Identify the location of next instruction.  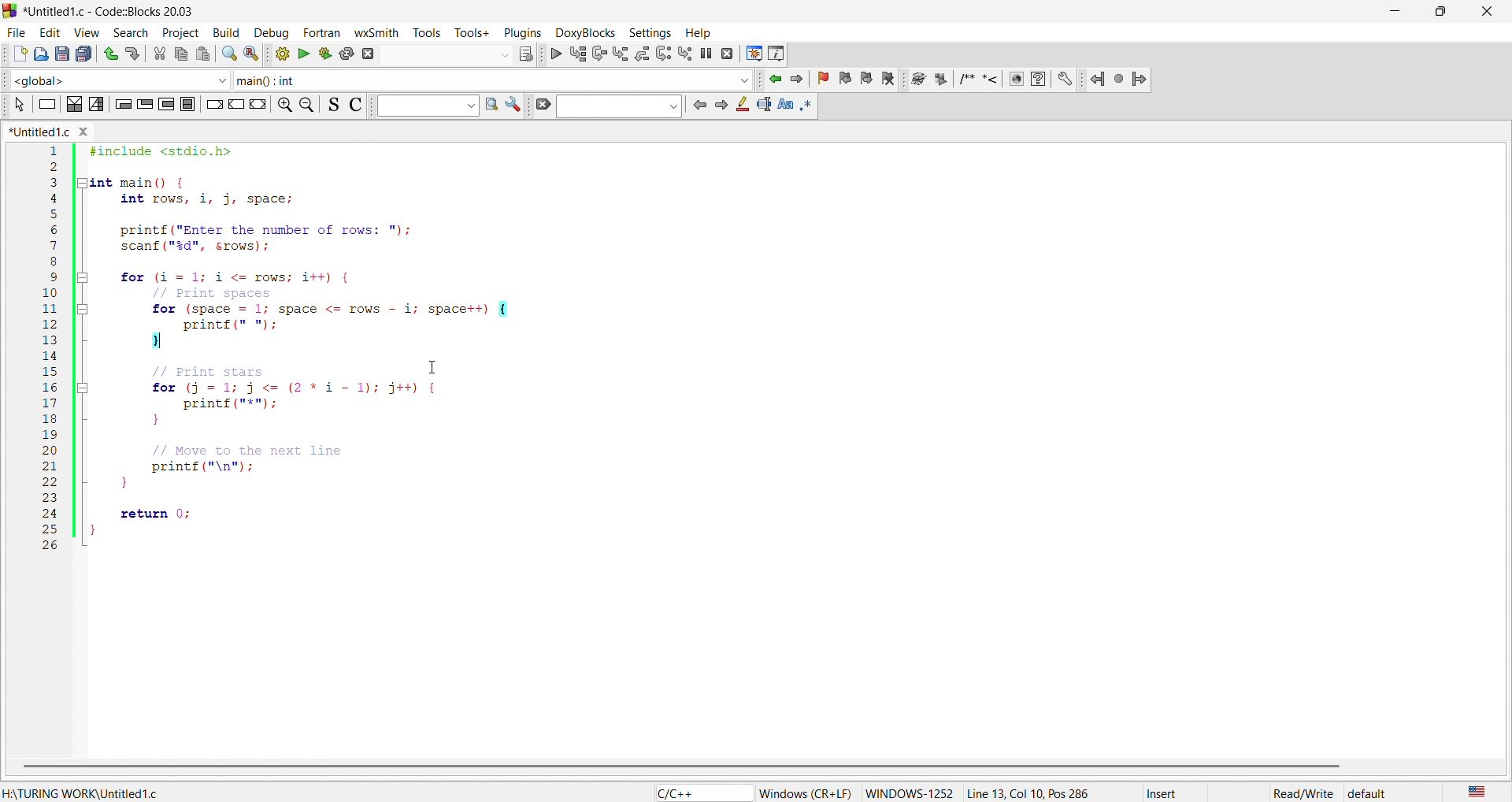
(663, 54).